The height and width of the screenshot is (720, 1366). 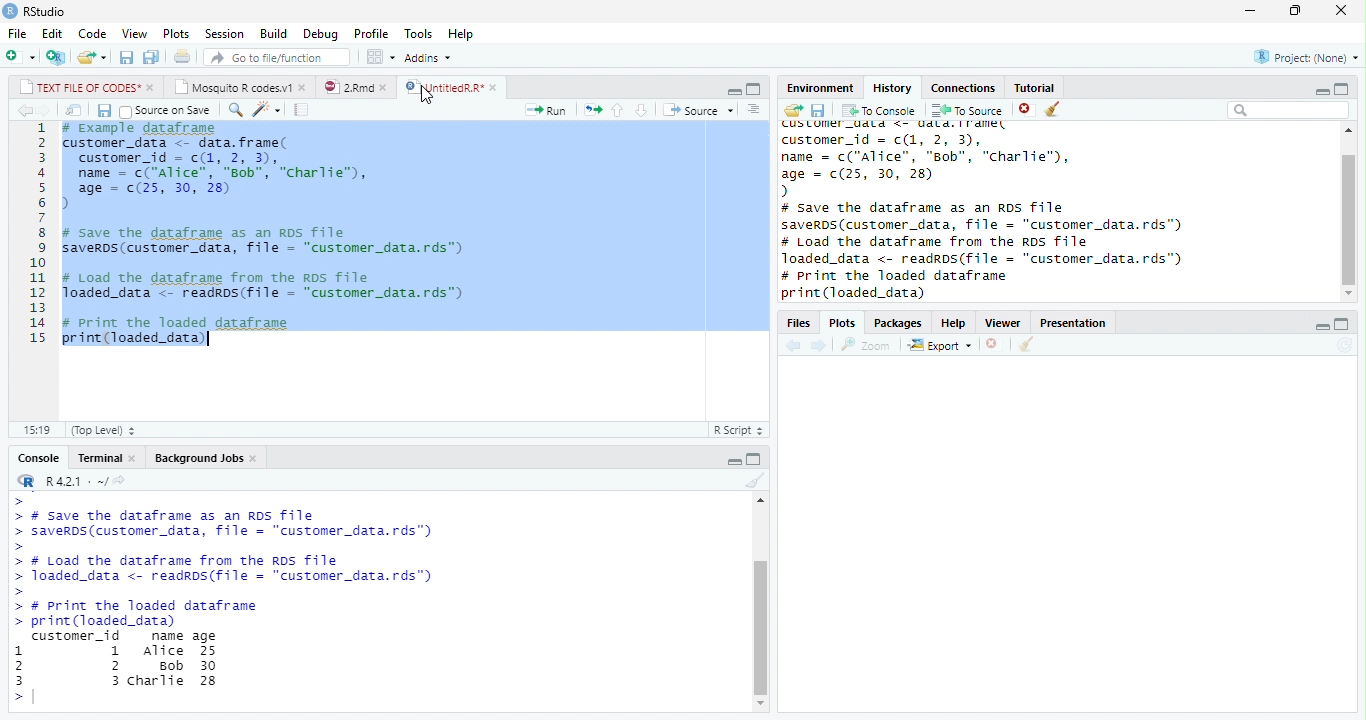 What do you see at coordinates (236, 110) in the screenshot?
I see `search` at bounding box center [236, 110].